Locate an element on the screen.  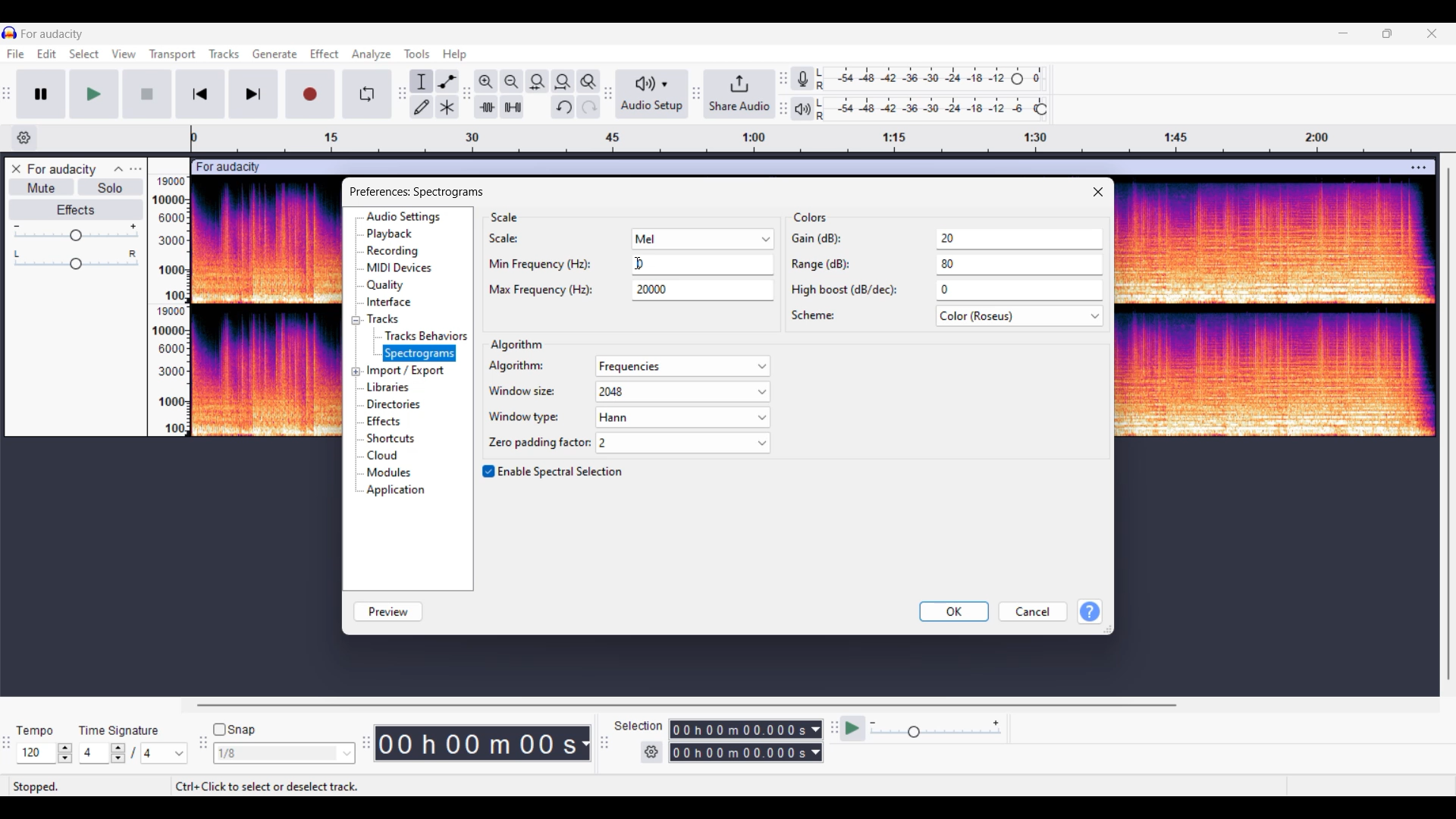
window type is located at coordinates (626, 419).